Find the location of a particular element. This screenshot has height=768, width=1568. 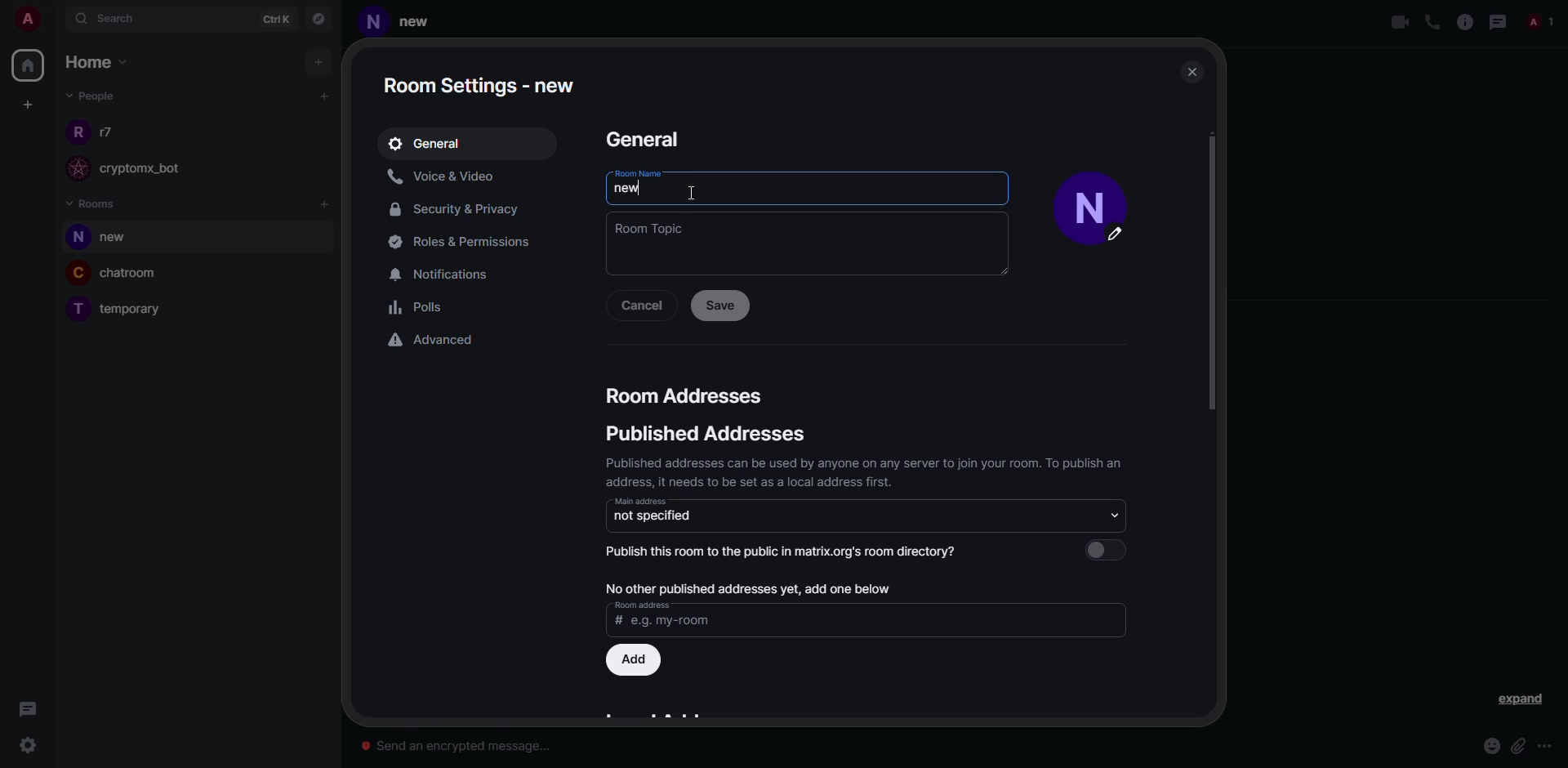

voice video is located at coordinates (445, 176).